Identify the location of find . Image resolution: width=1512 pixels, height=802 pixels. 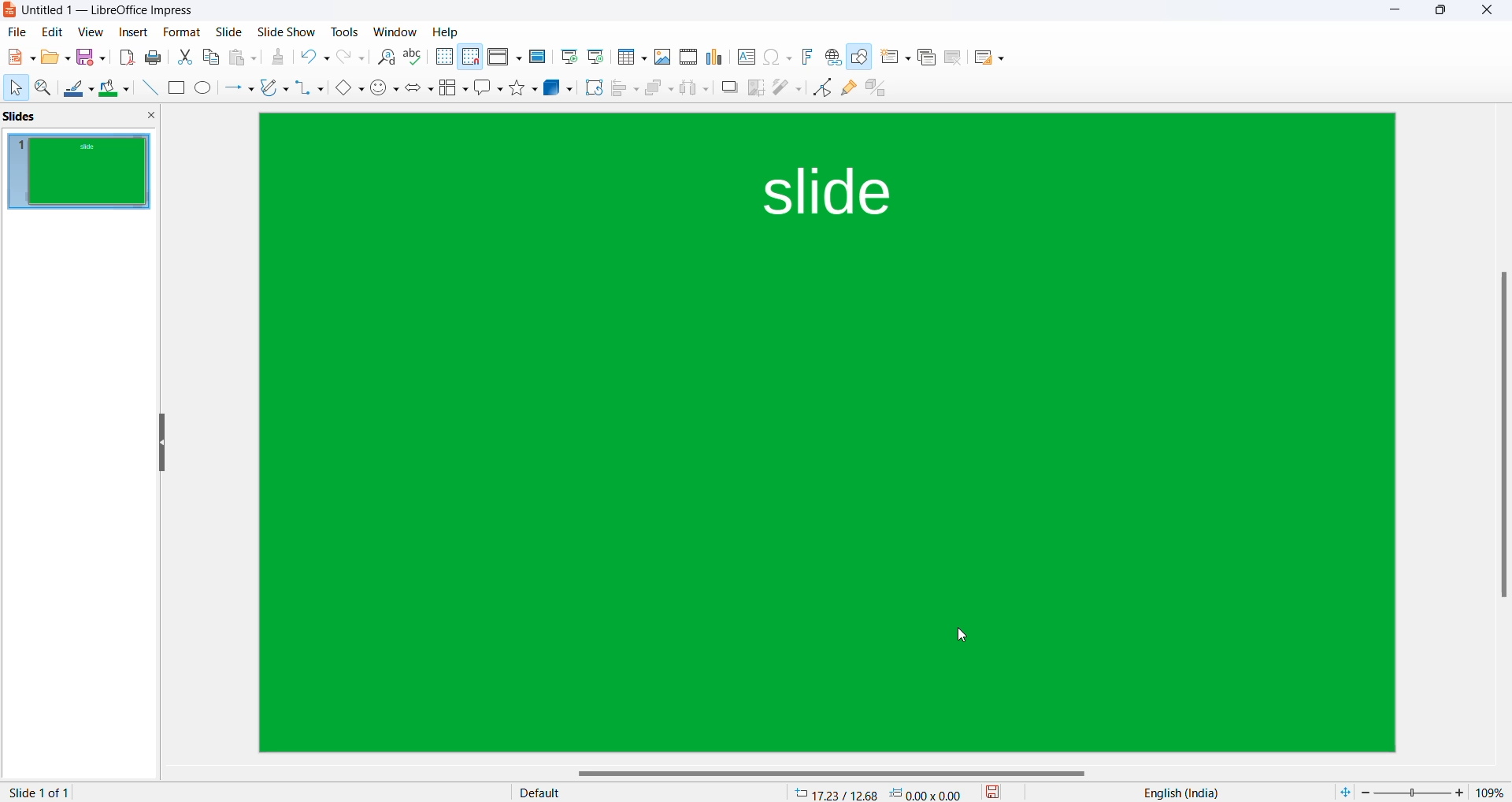
(387, 58).